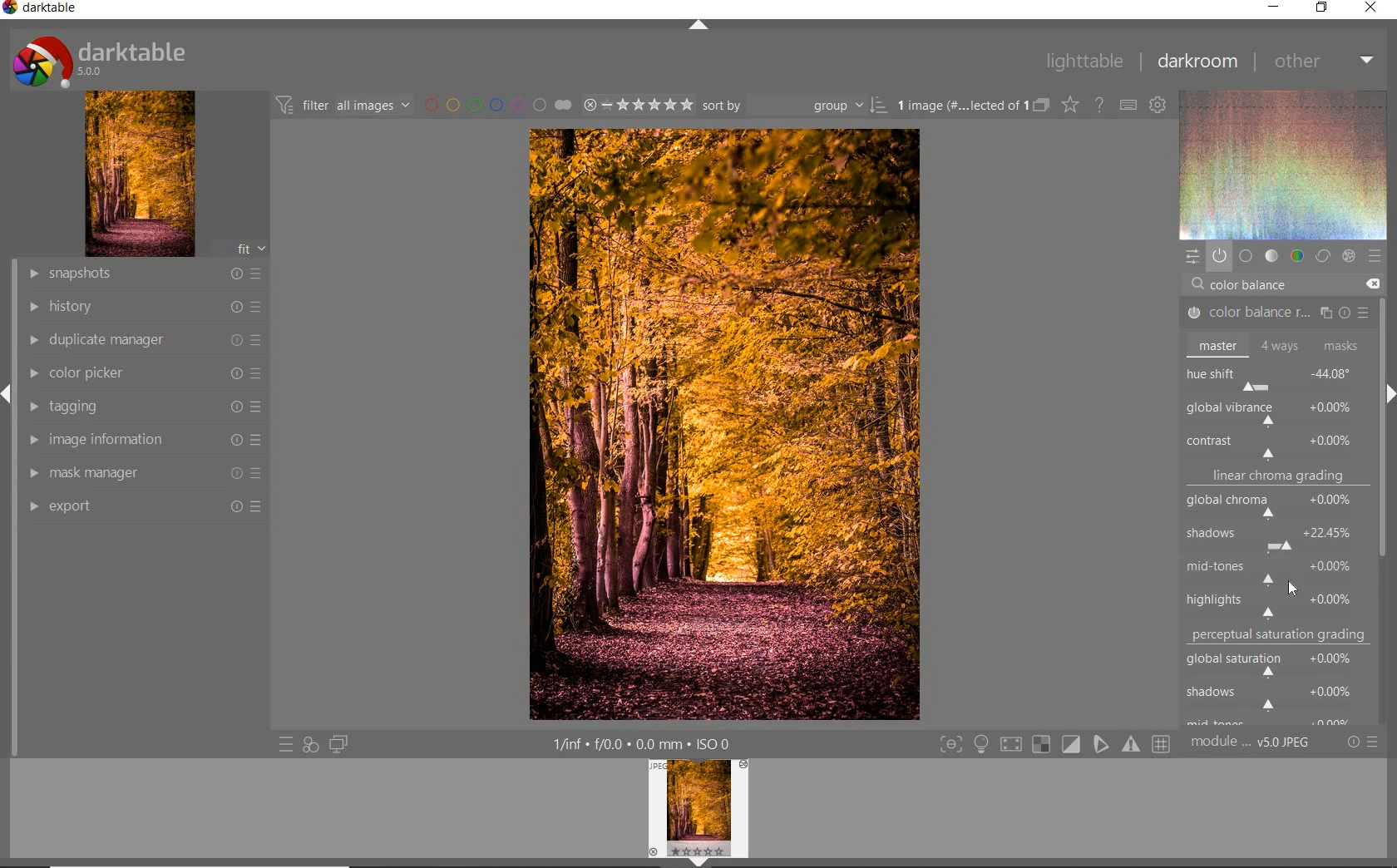 This screenshot has height=868, width=1397. Describe the element at coordinates (1278, 662) in the screenshot. I see `global saturation` at that location.